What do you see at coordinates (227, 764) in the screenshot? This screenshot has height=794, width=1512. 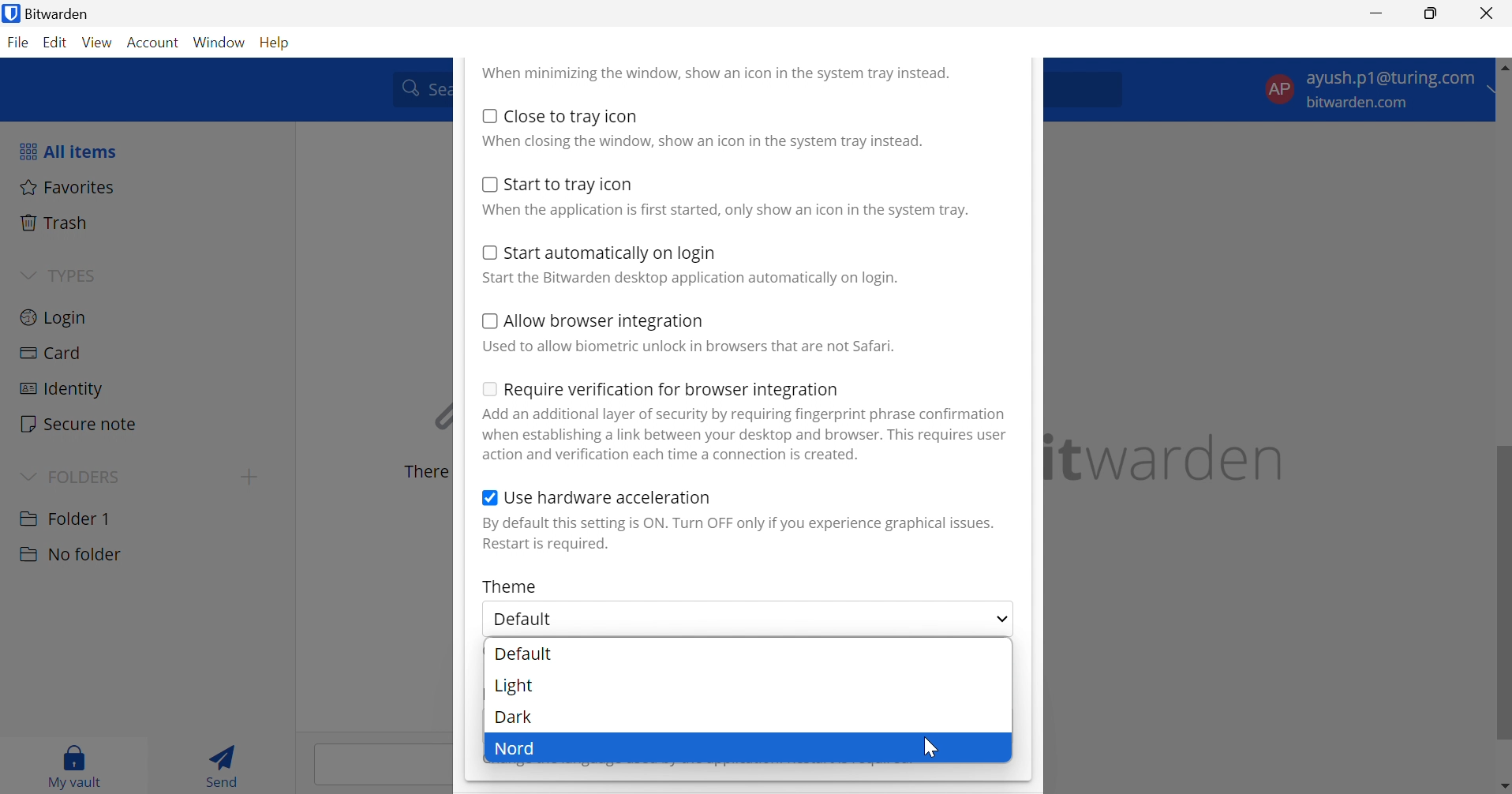 I see `Send` at bounding box center [227, 764].